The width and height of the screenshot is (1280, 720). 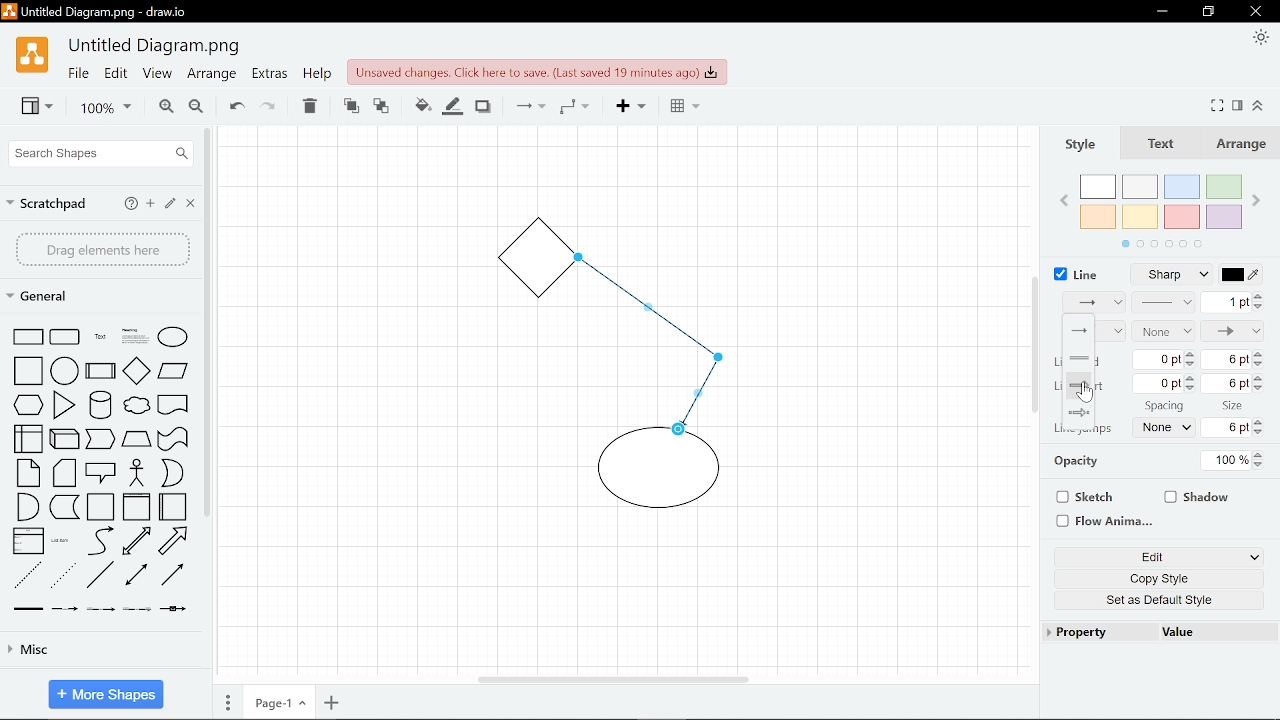 I want to click on shape, so click(x=176, y=613).